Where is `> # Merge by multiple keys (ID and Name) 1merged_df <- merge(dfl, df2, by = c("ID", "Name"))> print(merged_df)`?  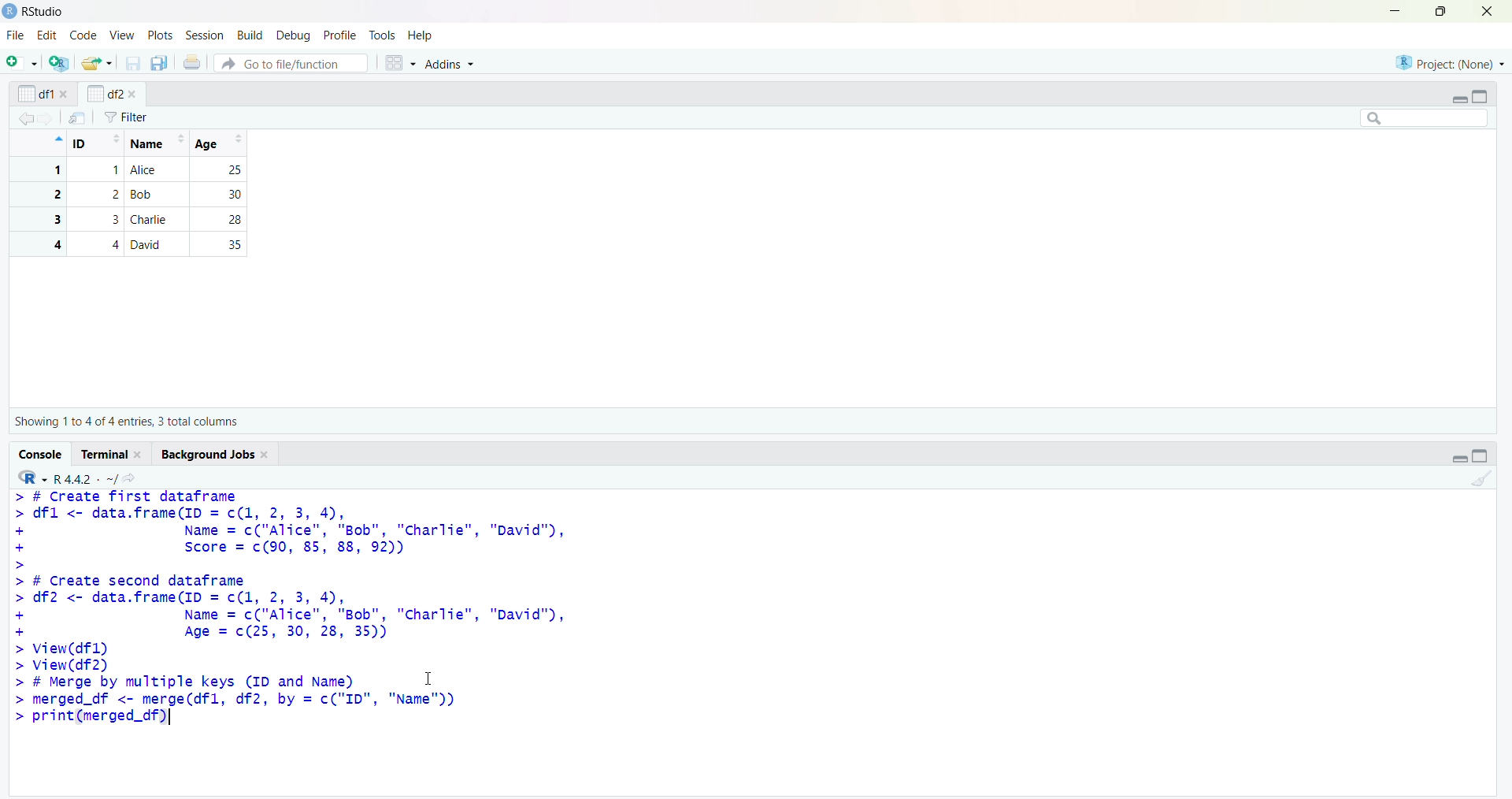 > # Merge by multiple keys (ID and Name) 1merged_df <- merge(dfl, df2, by = c("ID", "Name"))> print(merged_df) is located at coordinates (239, 701).